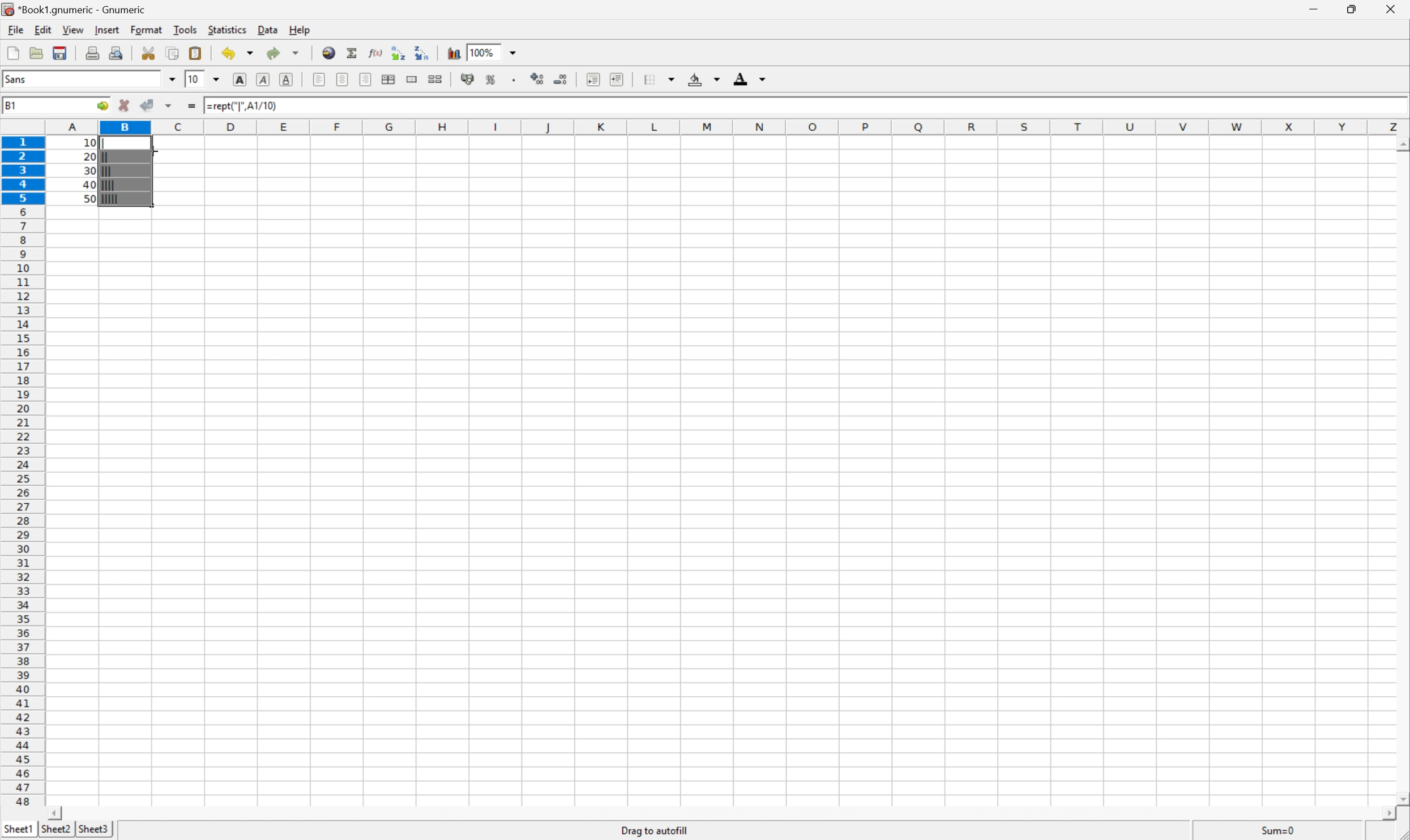 Image resolution: width=1410 pixels, height=840 pixels. I want to click on Format selection as accounting, so click(468, 78).